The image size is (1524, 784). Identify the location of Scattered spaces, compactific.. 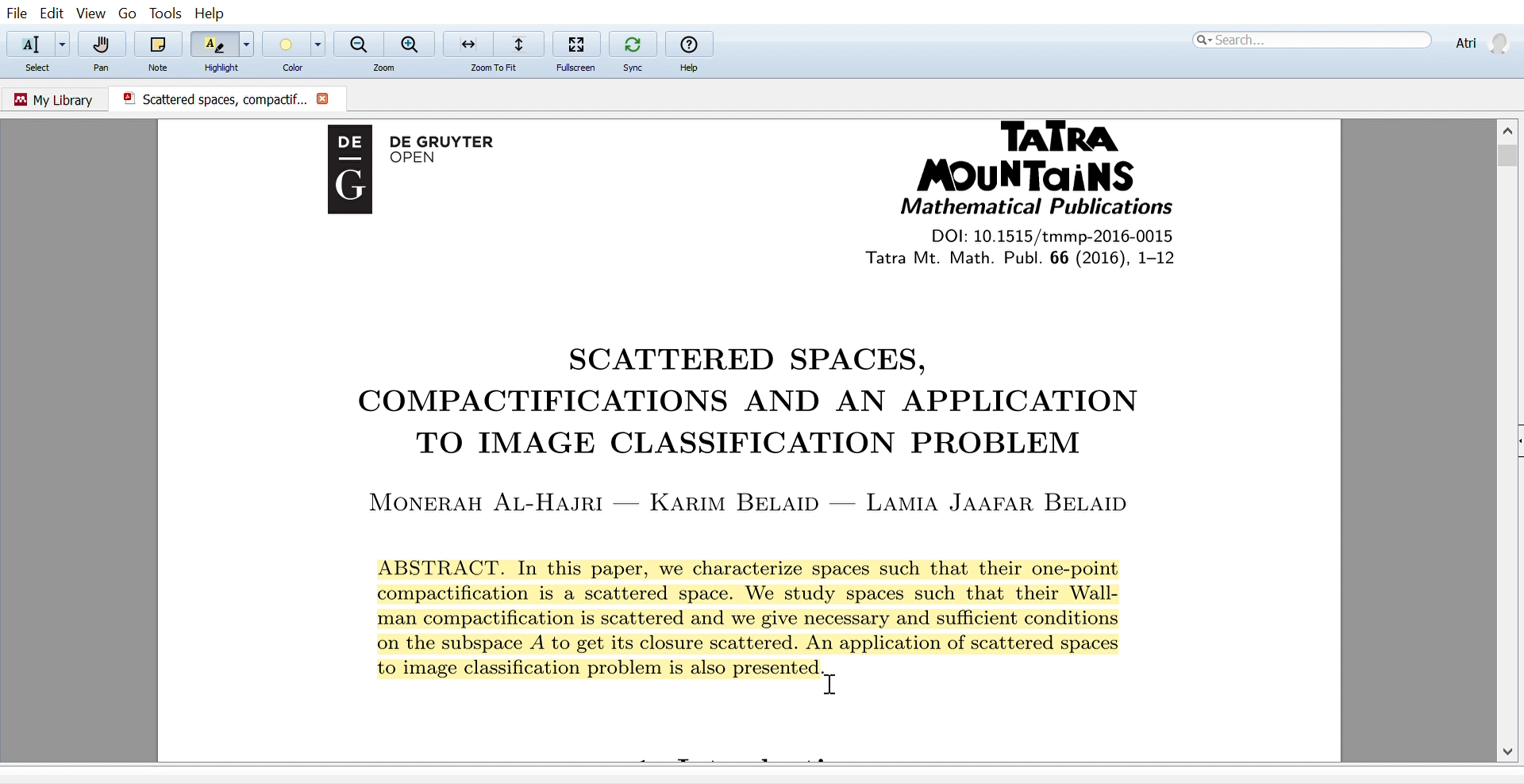
(208, 98).